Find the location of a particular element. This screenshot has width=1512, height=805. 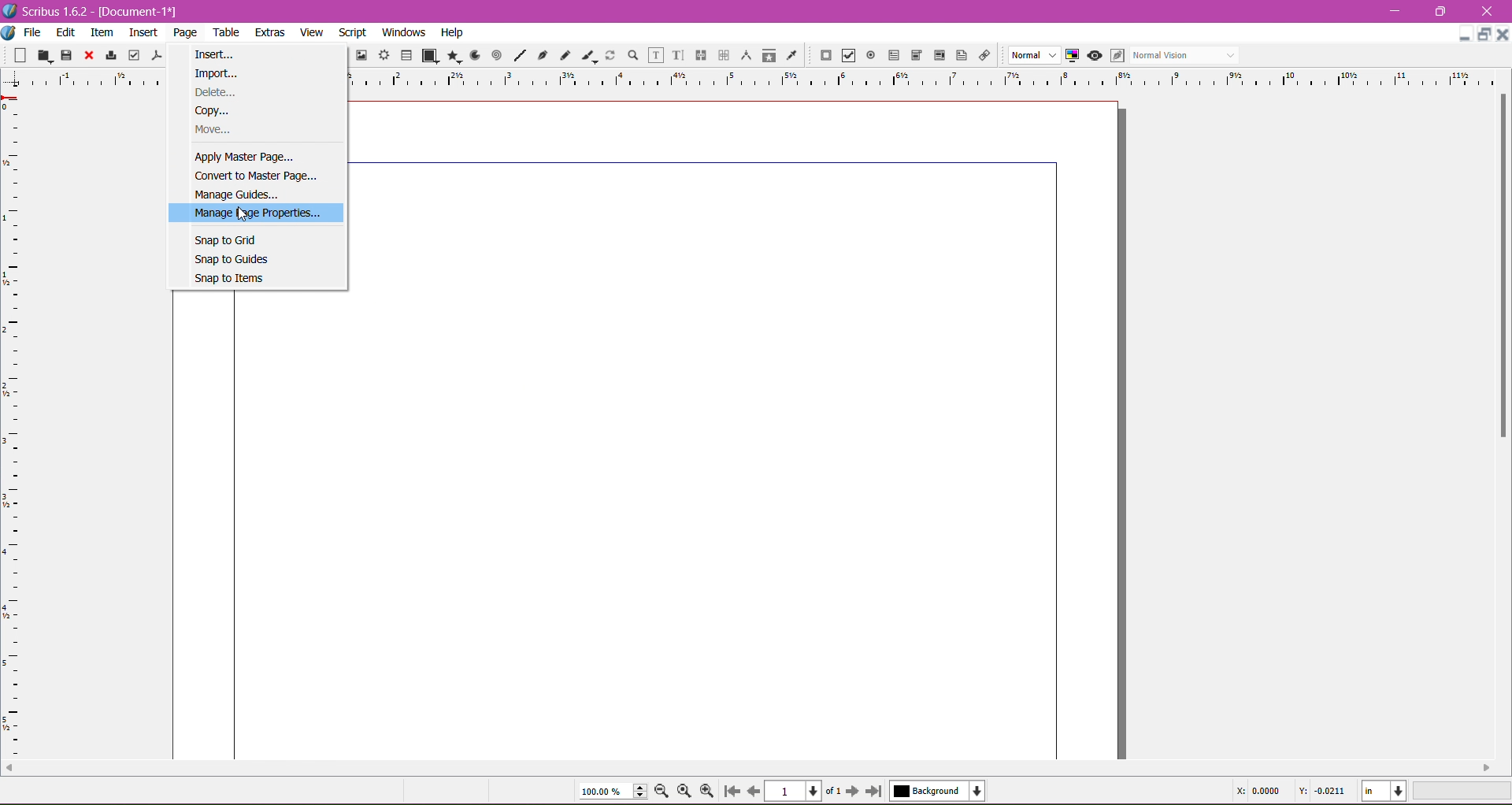

Select the visual appearance of the display is located at coordinates (1188, 56).